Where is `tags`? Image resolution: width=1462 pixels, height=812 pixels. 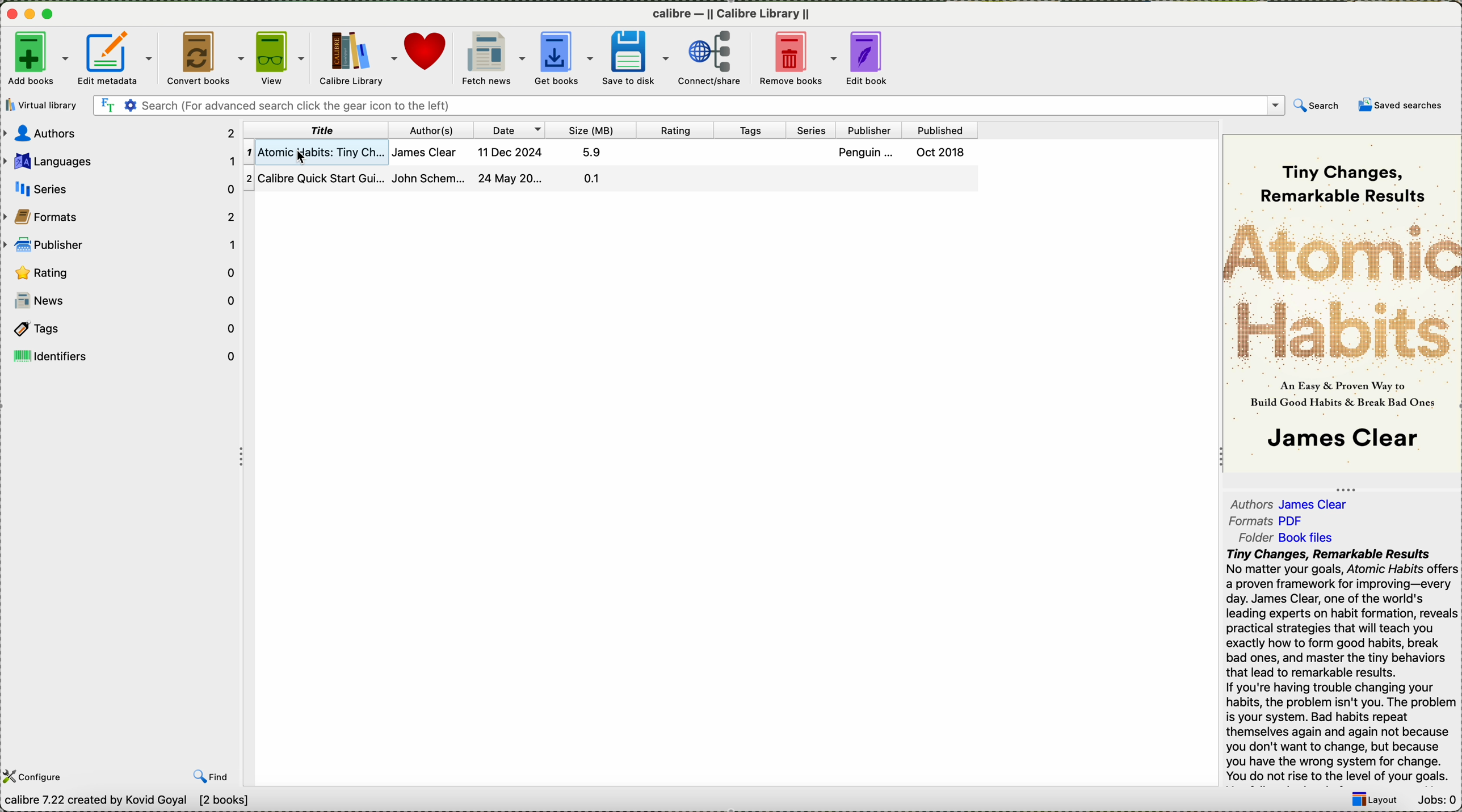
tags is located at coordinates (125, 330).